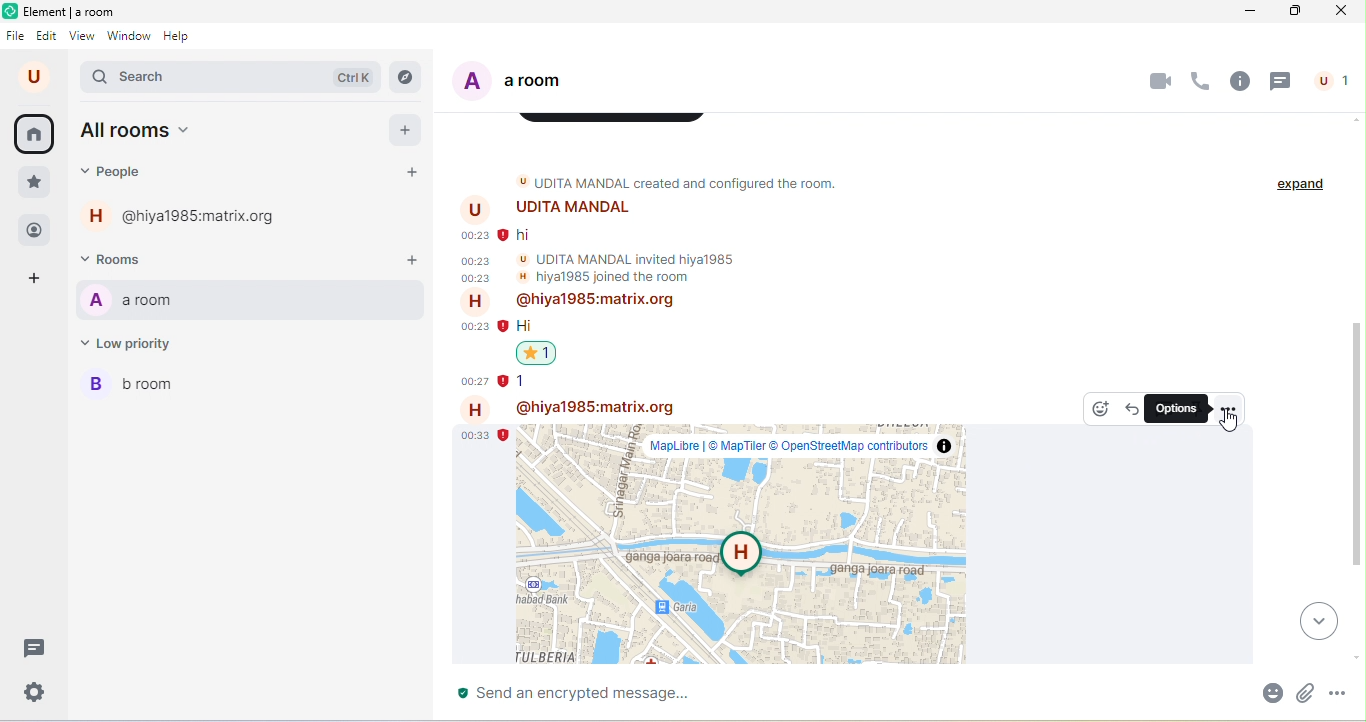 This screenshot has width=1366, height=722. What do you see at coordinates (627, 259) in the screenshot?
I see `Udita Mandal invited hiya1985` at bounding box center [627, 259].